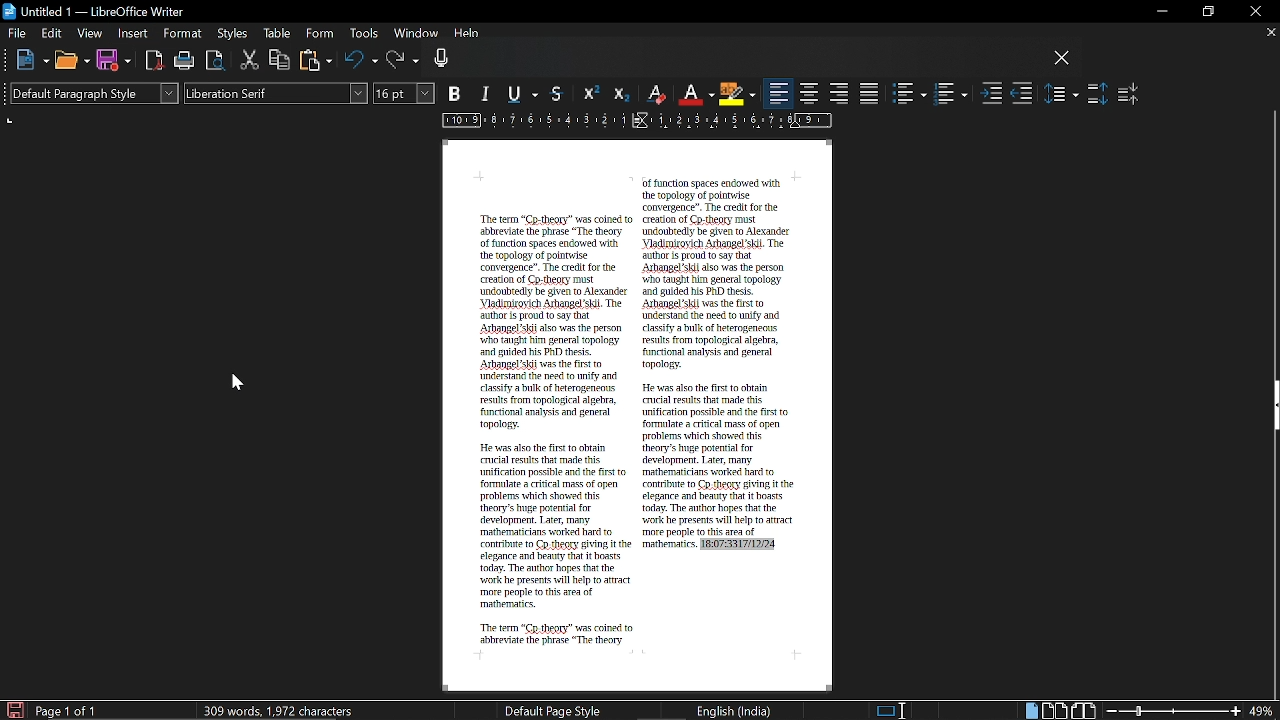 The image size is (1280, 720). Describe the element at coordinates (182, 34) in the screenshot. I see `Format` at that location.